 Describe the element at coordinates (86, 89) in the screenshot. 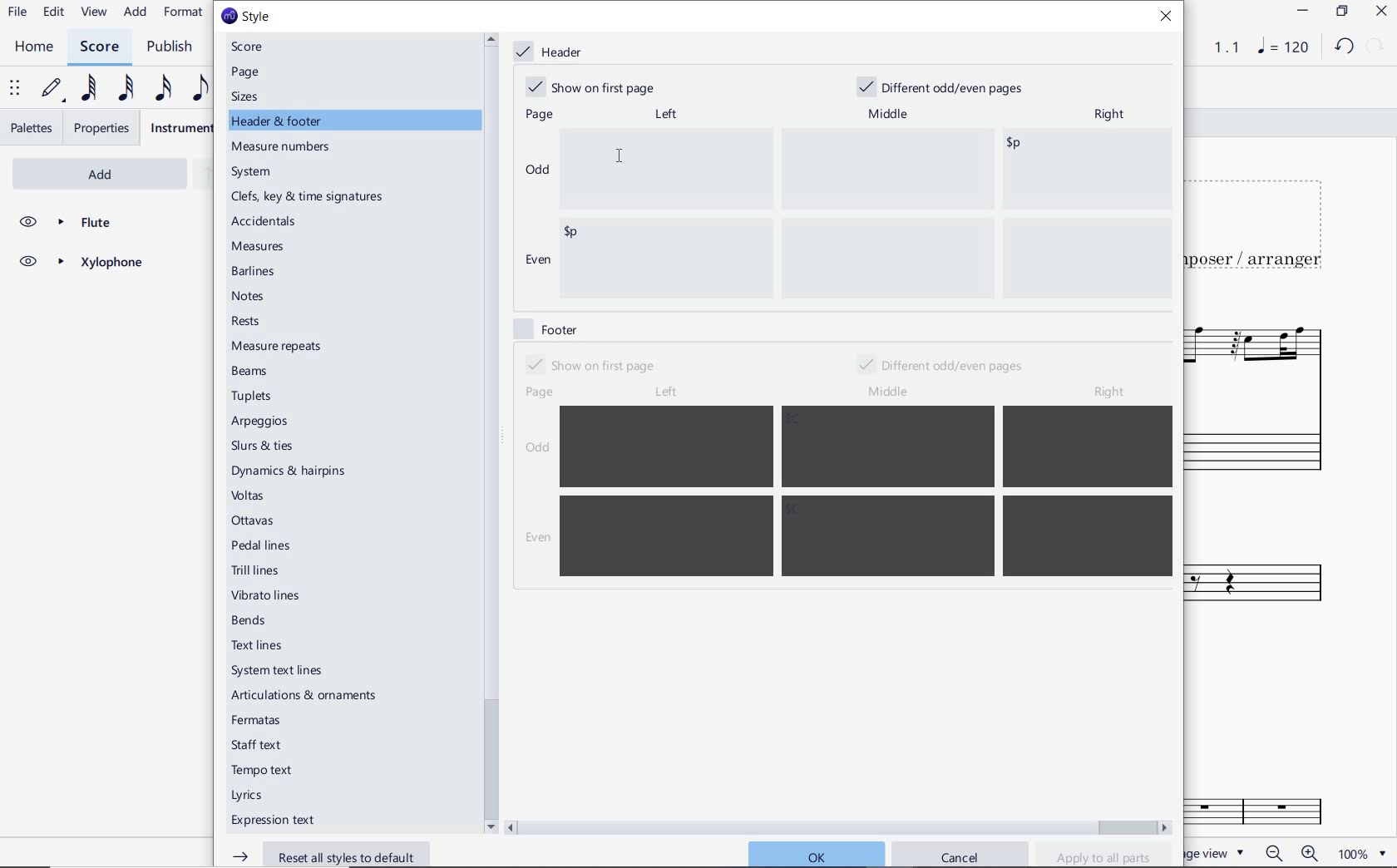

I see `64TH NOTE` at that location.